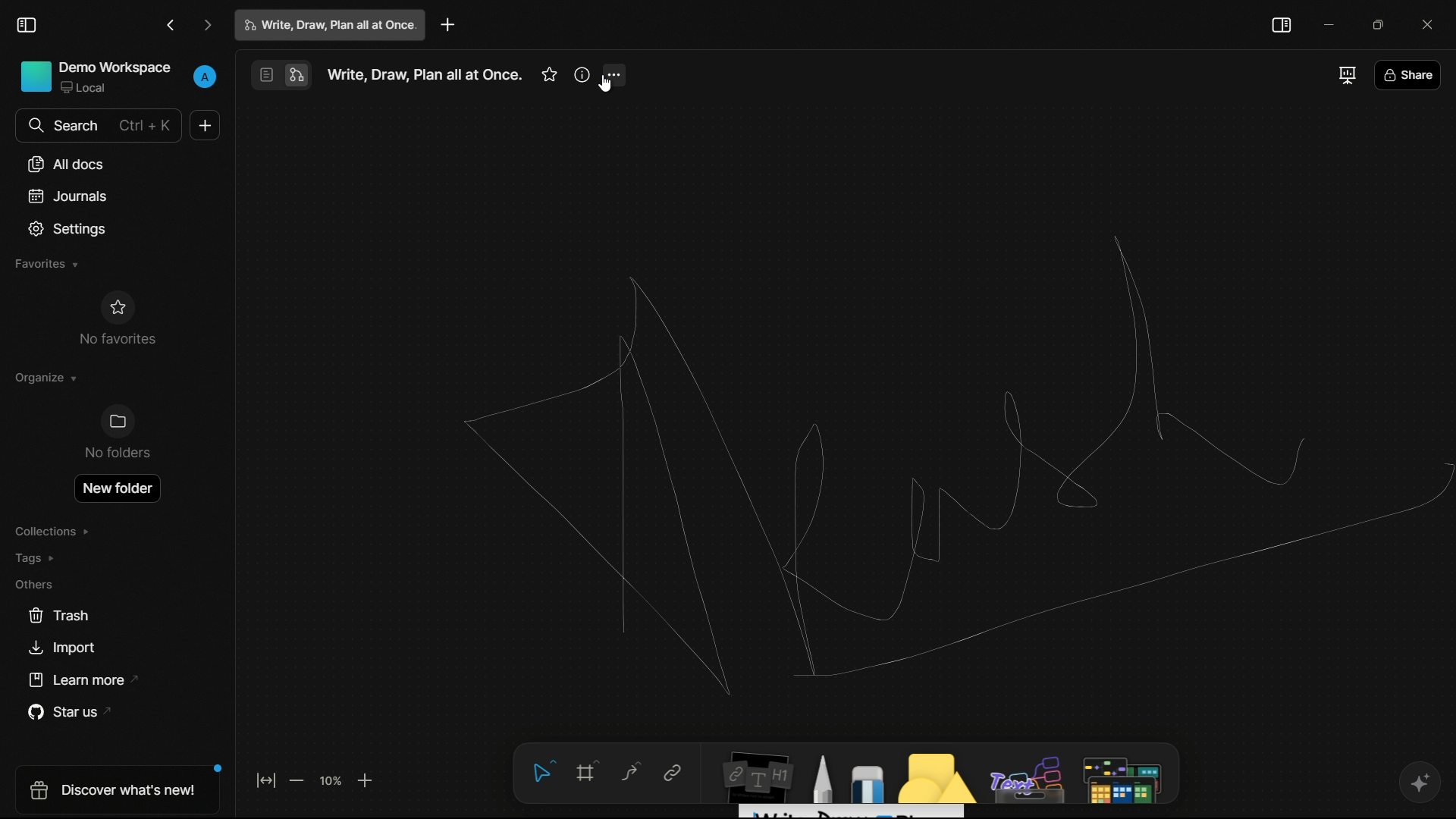 The height and width of the screenshot is (819, 1456). Describe the element at coordinates (44, 378) in the screenshot. I see `organize` at that location.